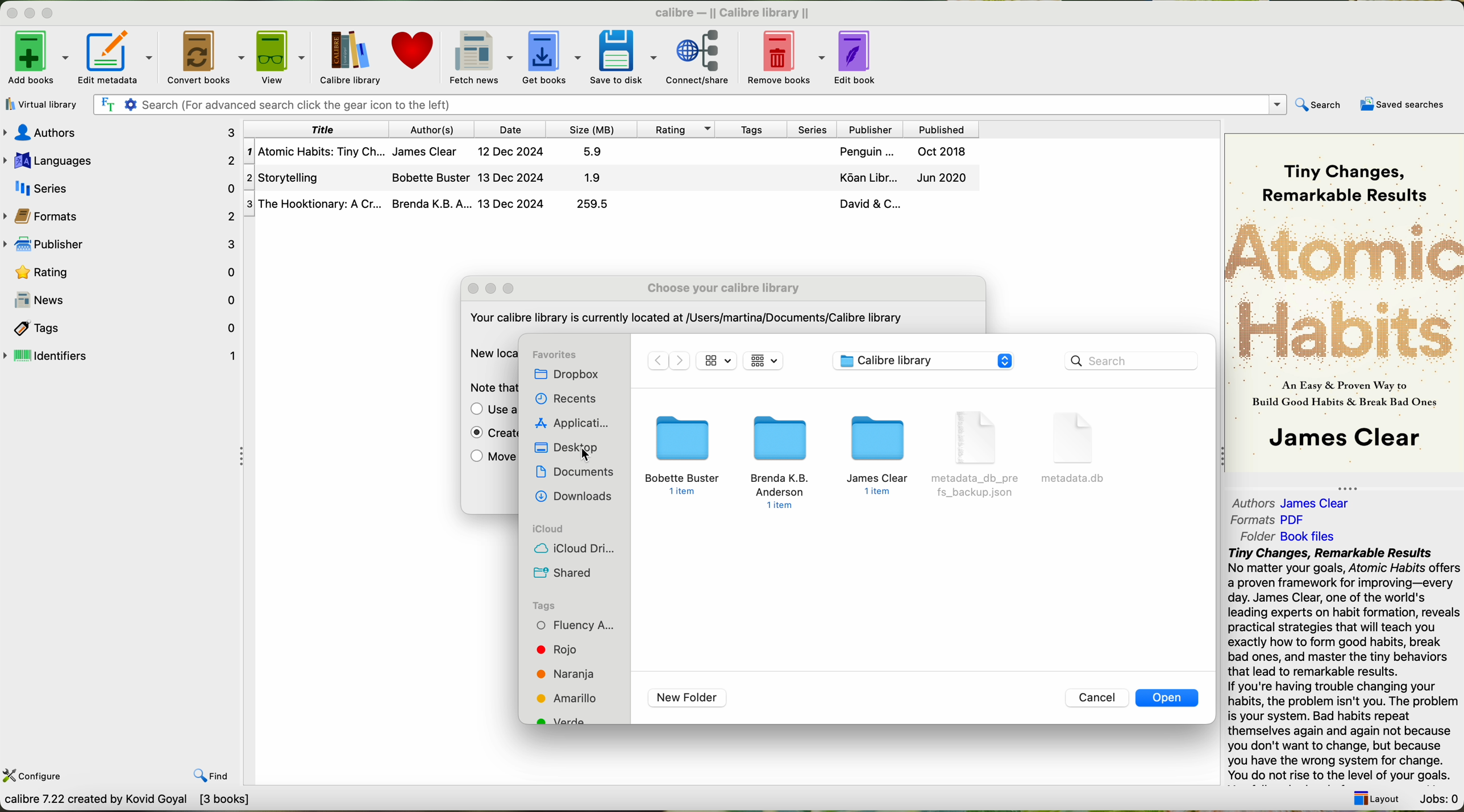 The image size is (1464, 812). What do you see at coordinates (782, 461) in the screenshot?
I see `folder` at bounding box center [782, 461].